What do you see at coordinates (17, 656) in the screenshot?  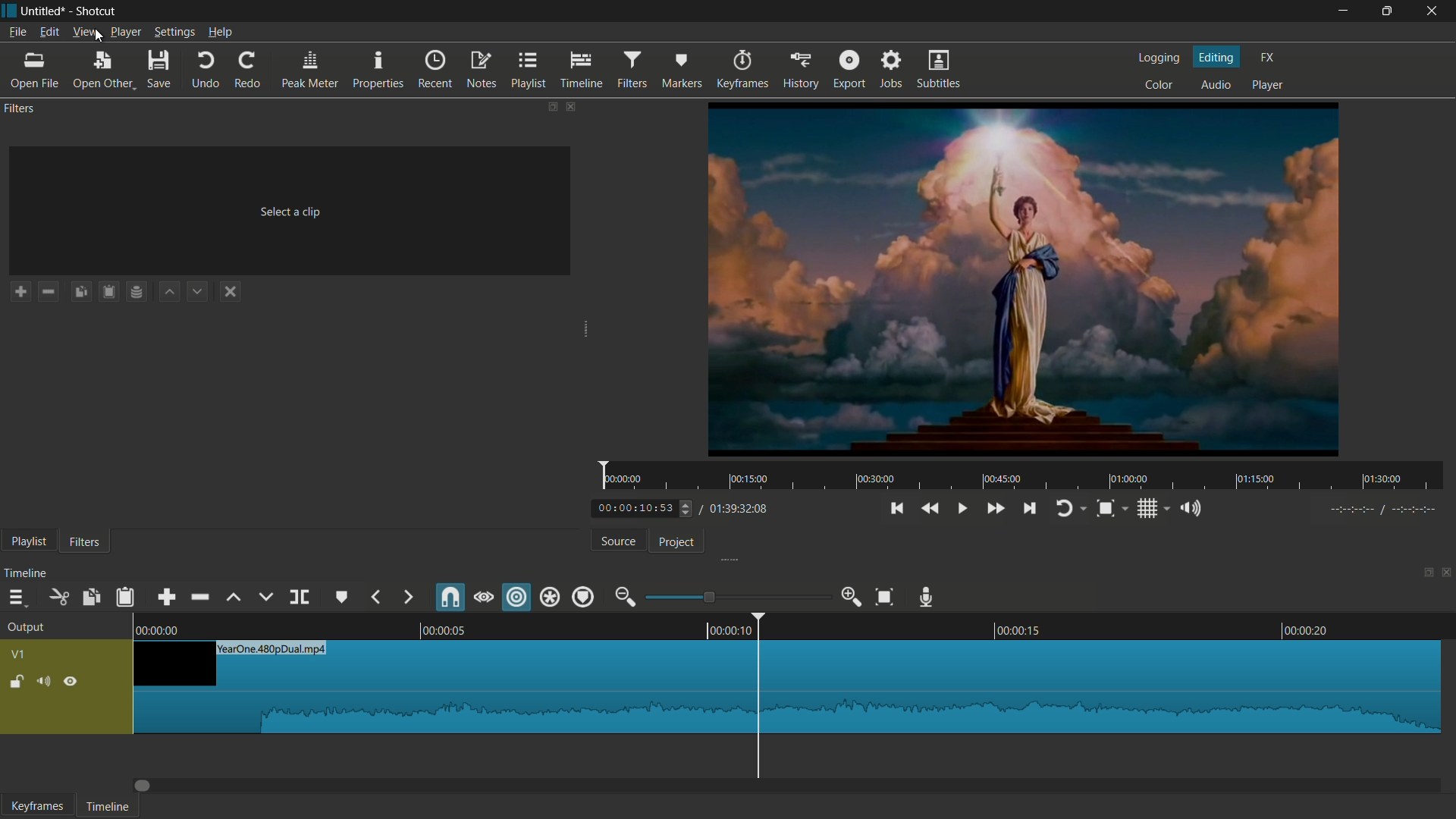 I see `v1` at bounding box center [17, 656].